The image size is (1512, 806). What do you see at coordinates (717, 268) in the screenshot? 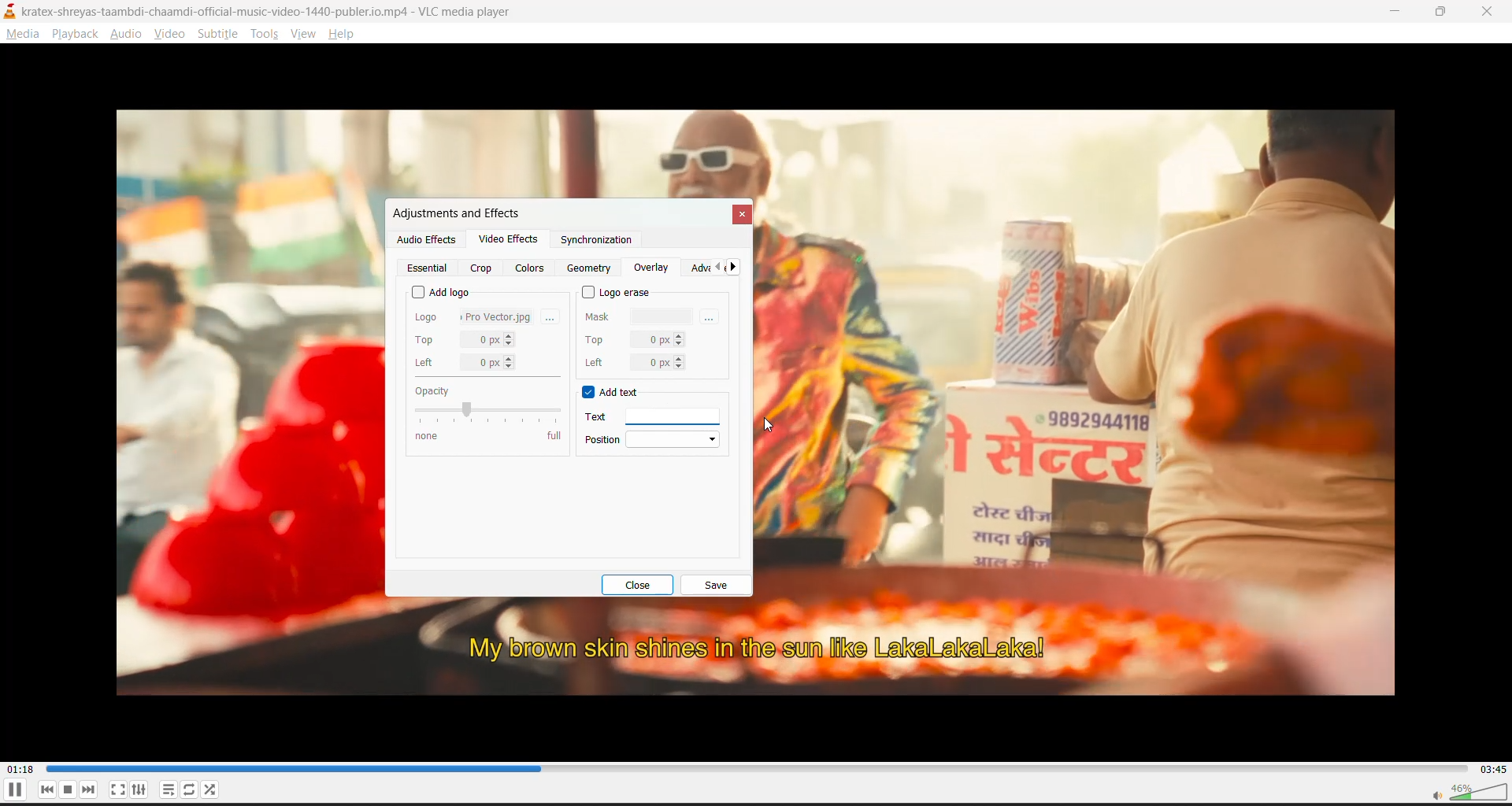
I see `previous` at bounding box center [717, 268].